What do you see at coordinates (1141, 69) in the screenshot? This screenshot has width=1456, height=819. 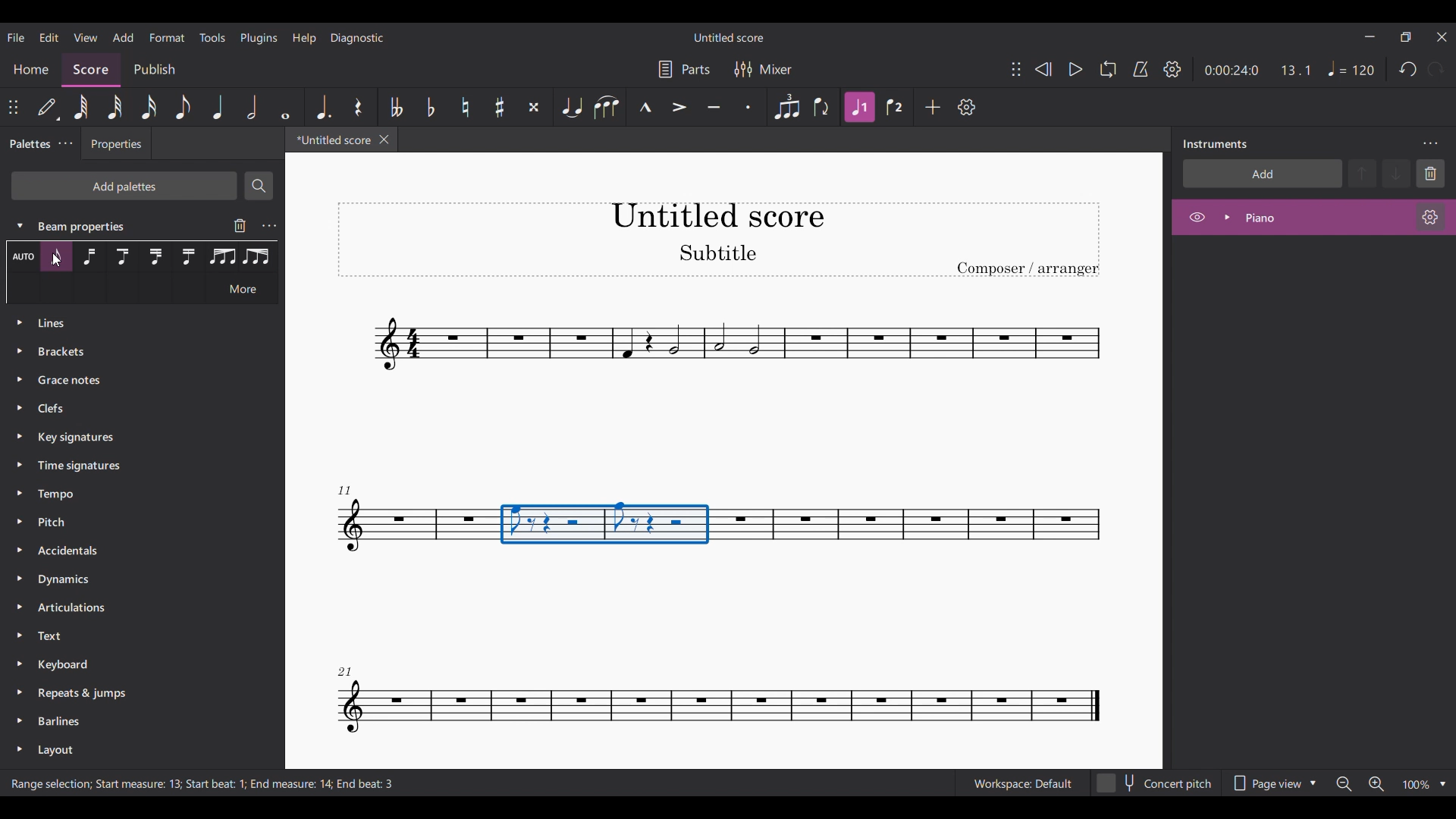 I see `Metronome` at bounding box center [1141, 69].